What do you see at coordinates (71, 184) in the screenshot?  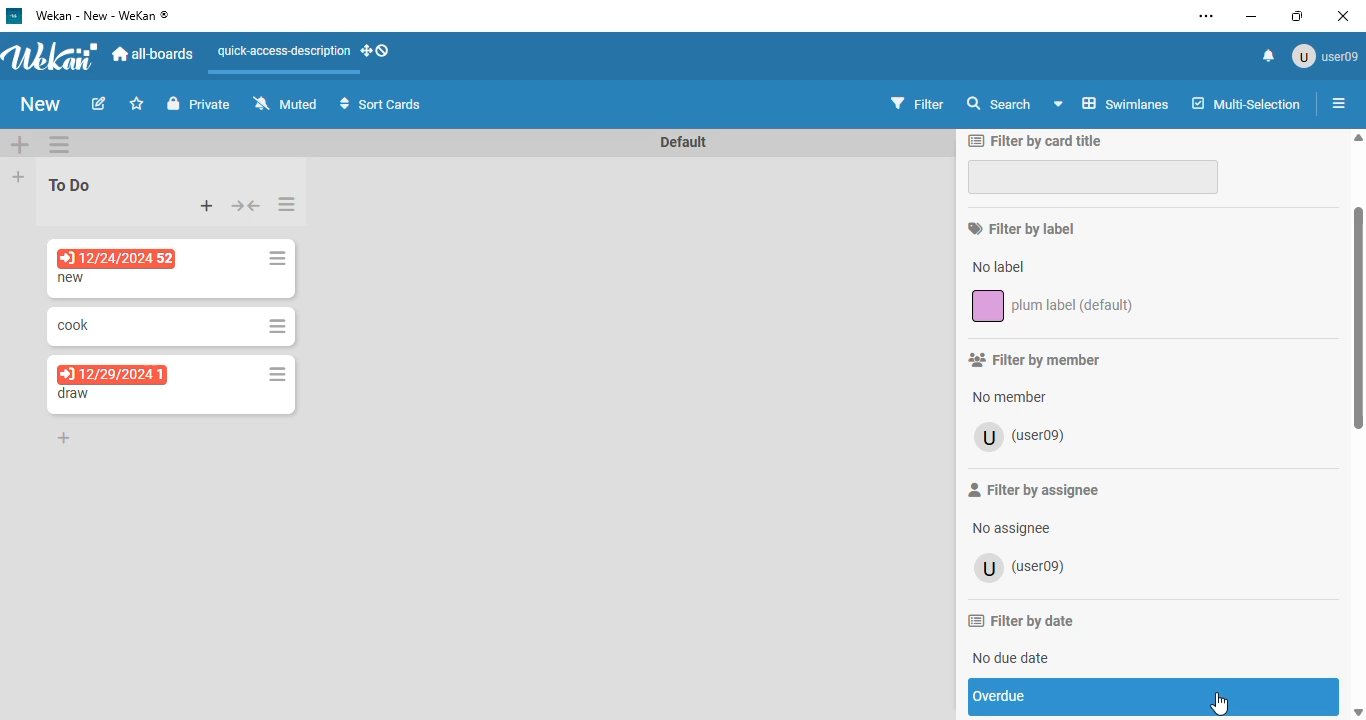 I see `To Do` at bounding box center [71, 184].